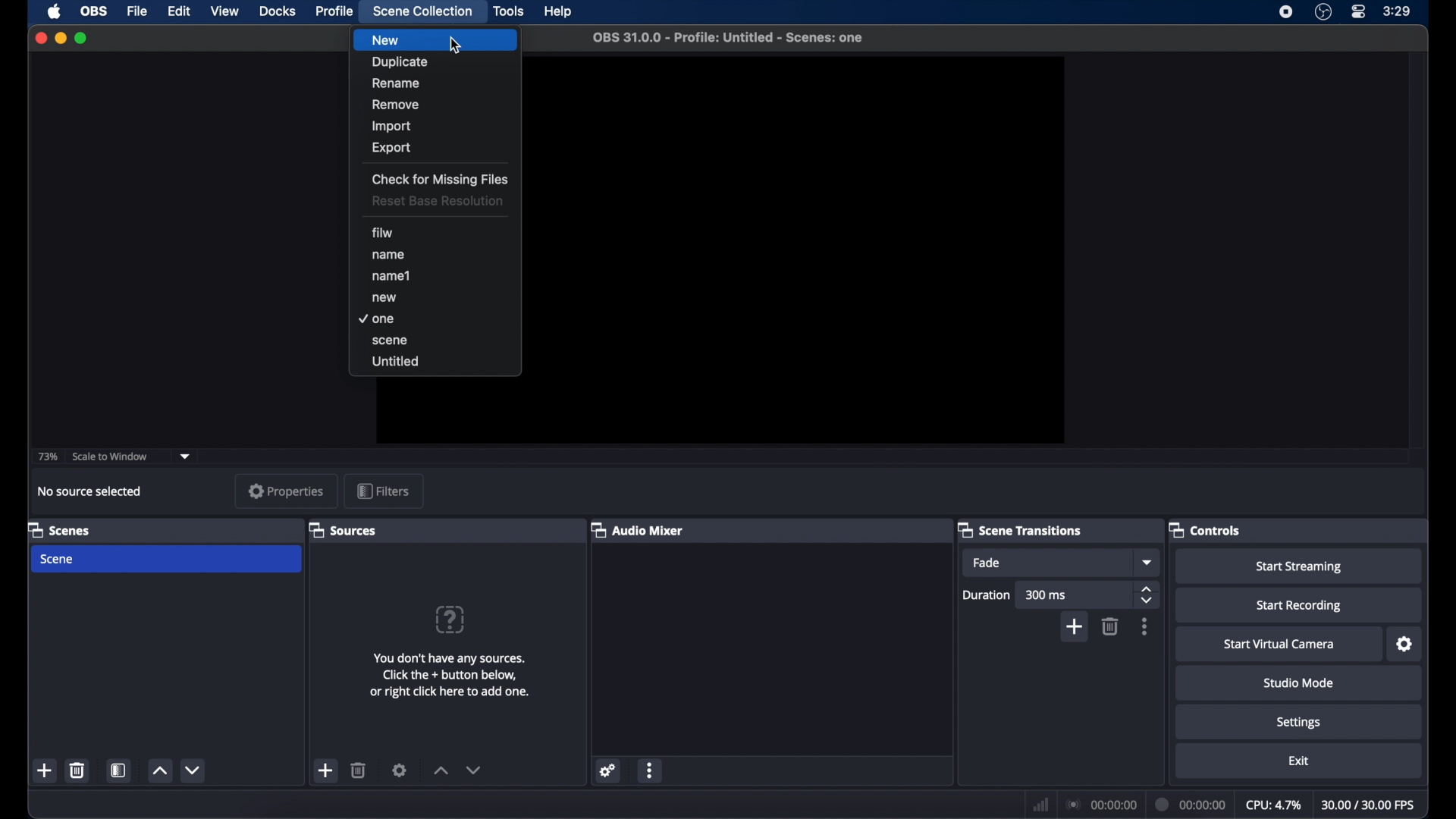  What do you see at coordinates (1398, 11) in the screenshot?
I see `time` at bounding box center [1398, 11].